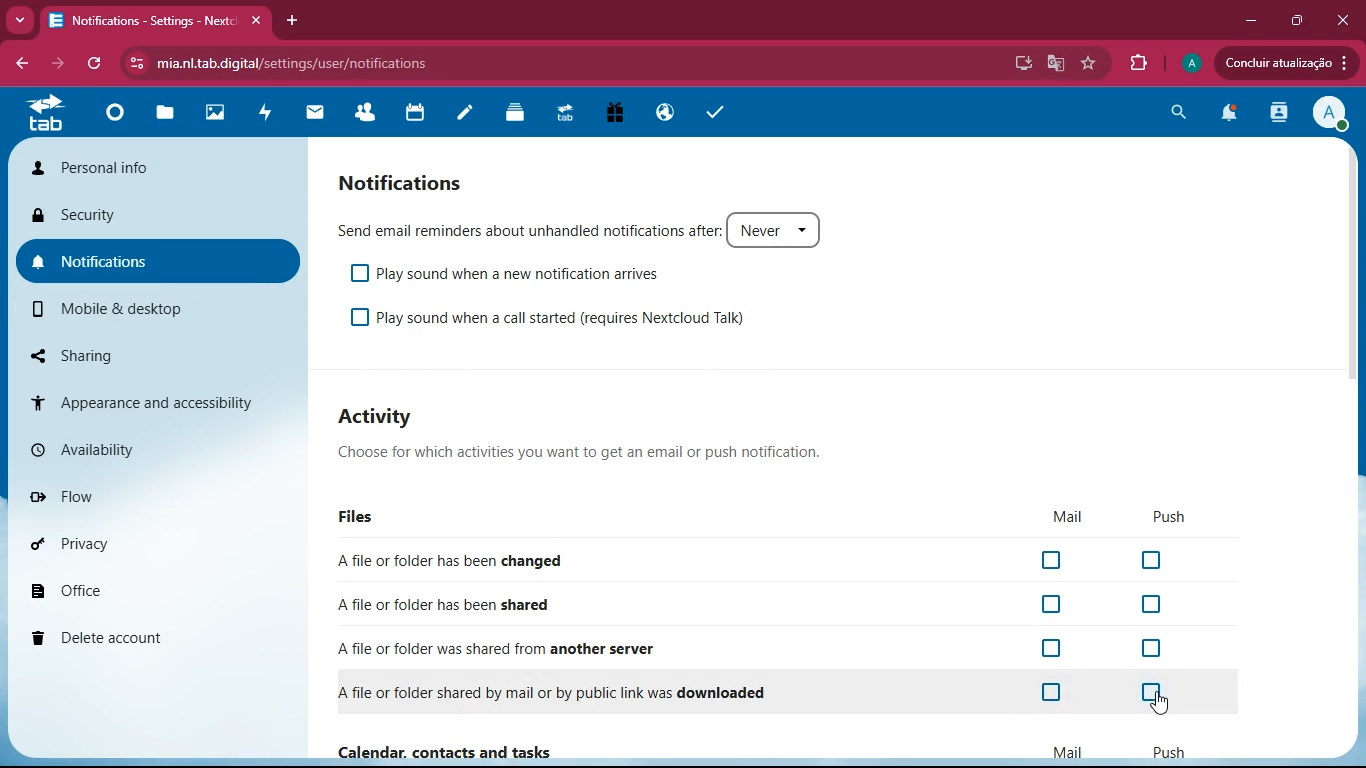 This screenshot has height=768, width=1366. I want to click on mail, so click(1076, 517).